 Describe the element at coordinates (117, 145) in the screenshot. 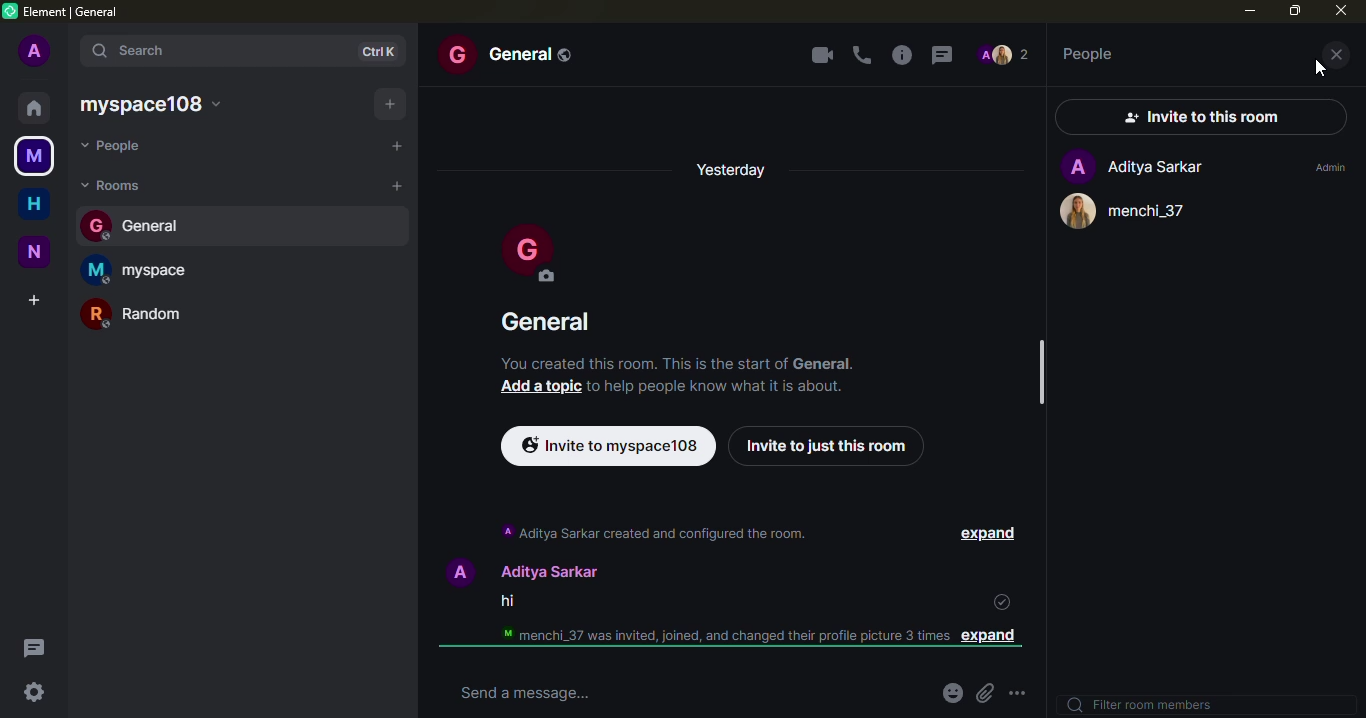

I see `people` at that location.